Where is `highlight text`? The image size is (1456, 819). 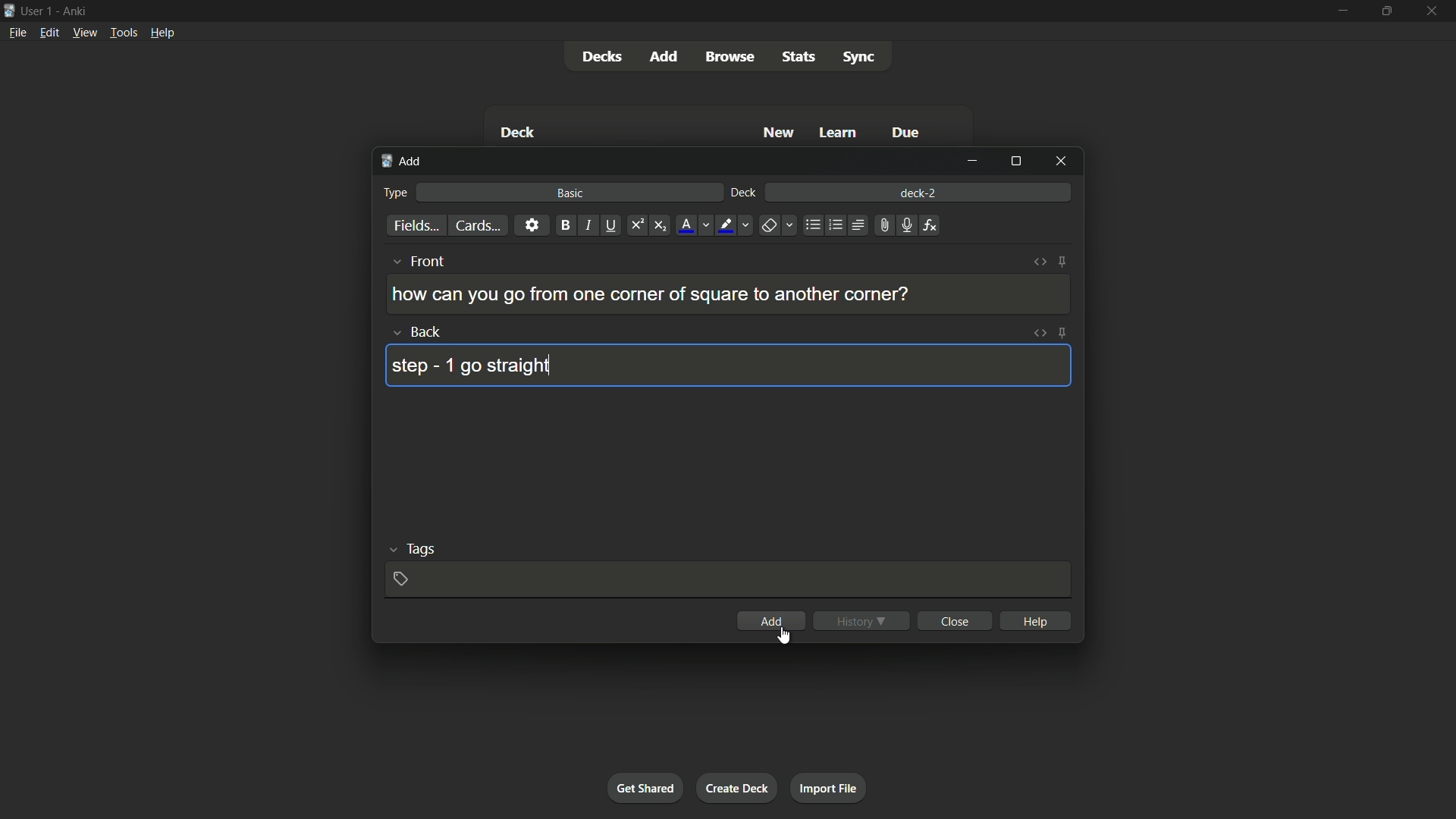
highlight text is located at coordinates (735, 226).